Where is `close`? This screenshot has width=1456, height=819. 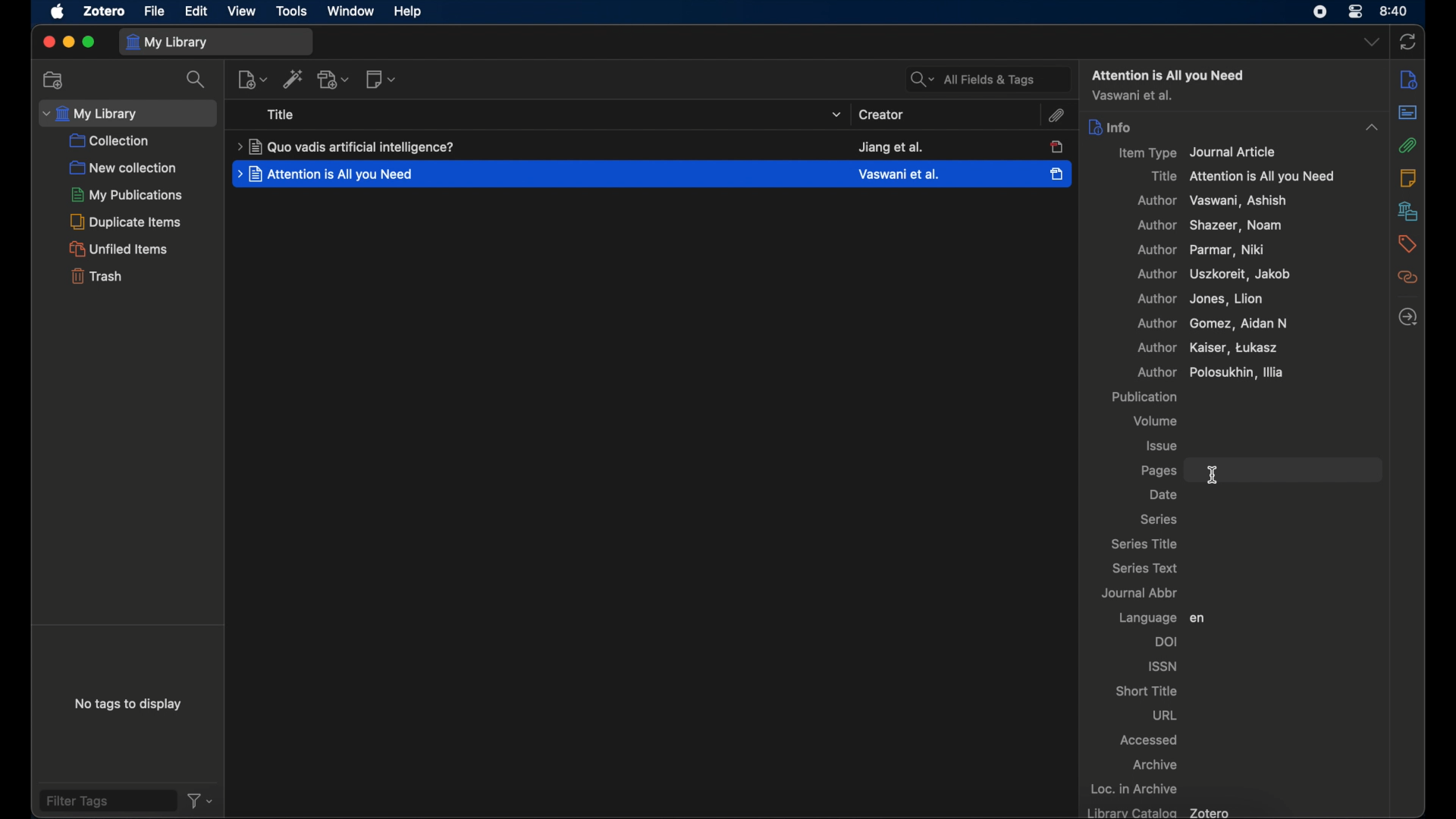
close is located at coordinates (46, 42).